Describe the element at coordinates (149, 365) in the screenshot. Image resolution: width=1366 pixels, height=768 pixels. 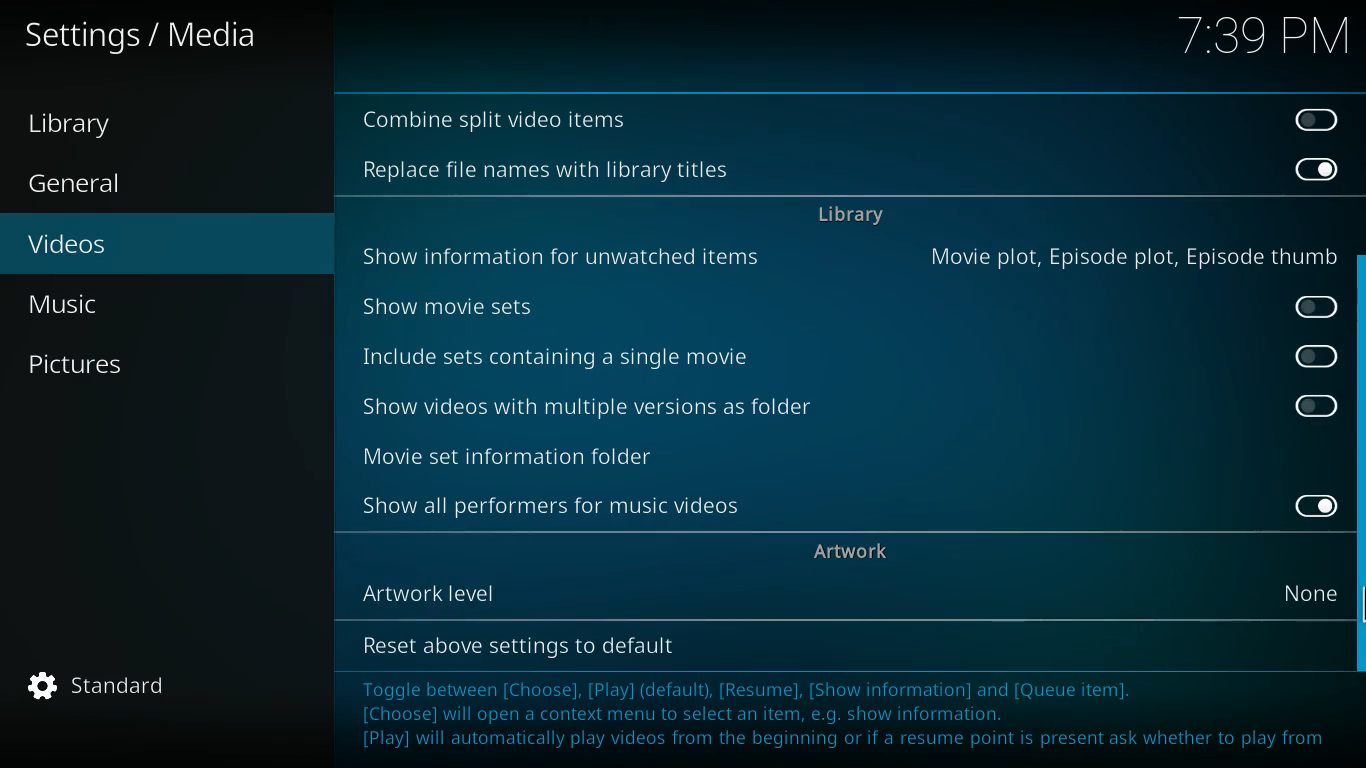
I see `pictures` at that location.